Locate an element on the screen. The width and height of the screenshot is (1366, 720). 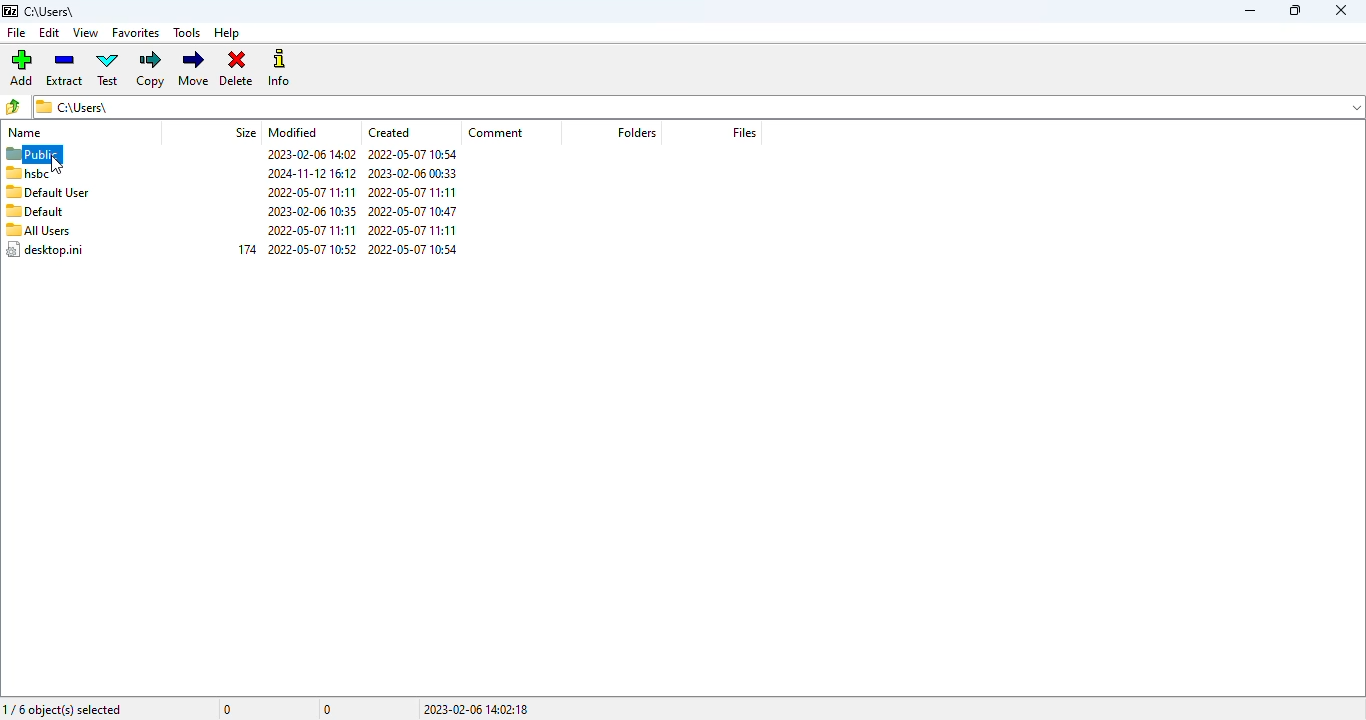
2022-05-07 11:11 is located at coordinates (412, 192).